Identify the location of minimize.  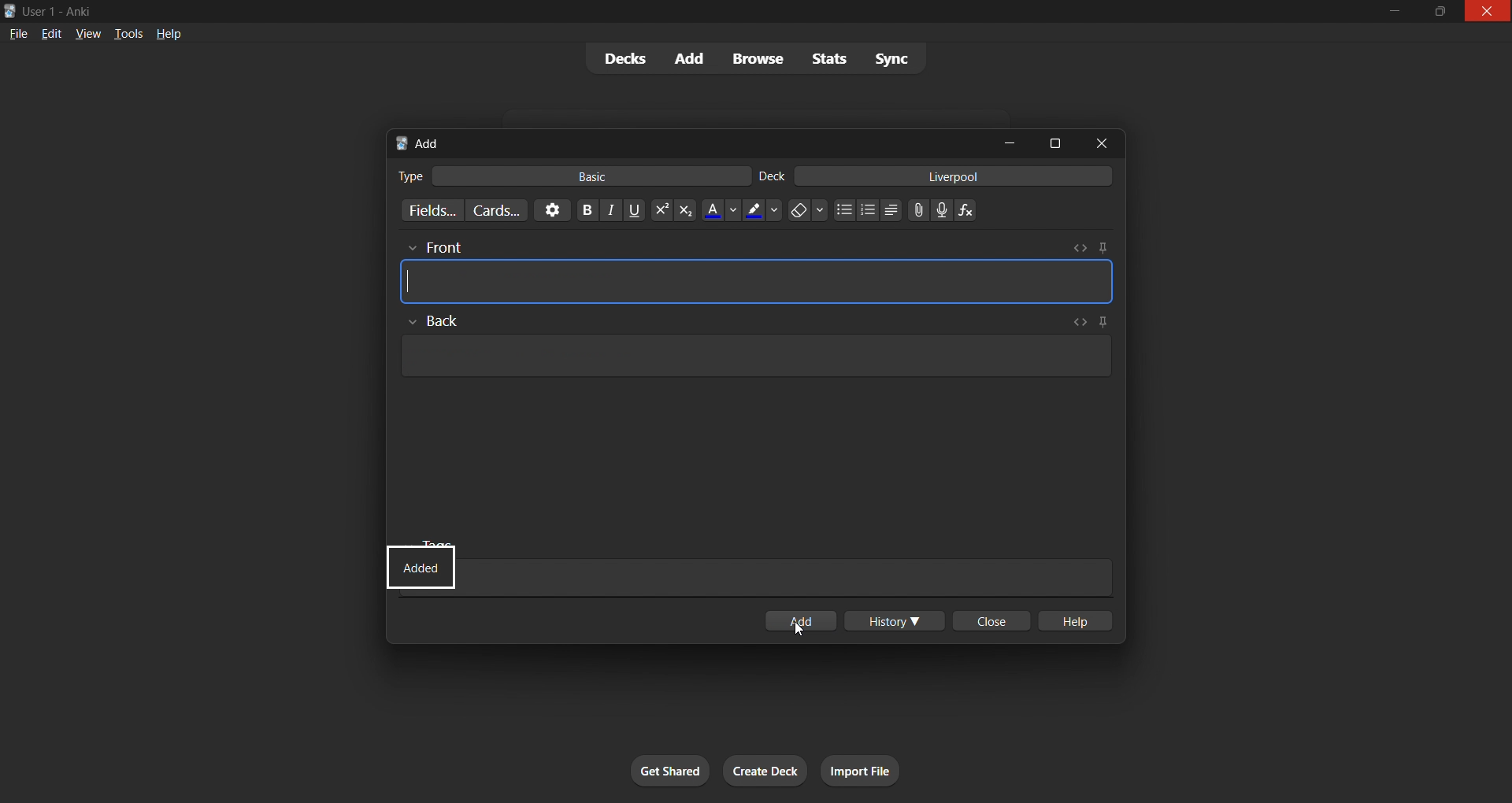
(1013, 142).